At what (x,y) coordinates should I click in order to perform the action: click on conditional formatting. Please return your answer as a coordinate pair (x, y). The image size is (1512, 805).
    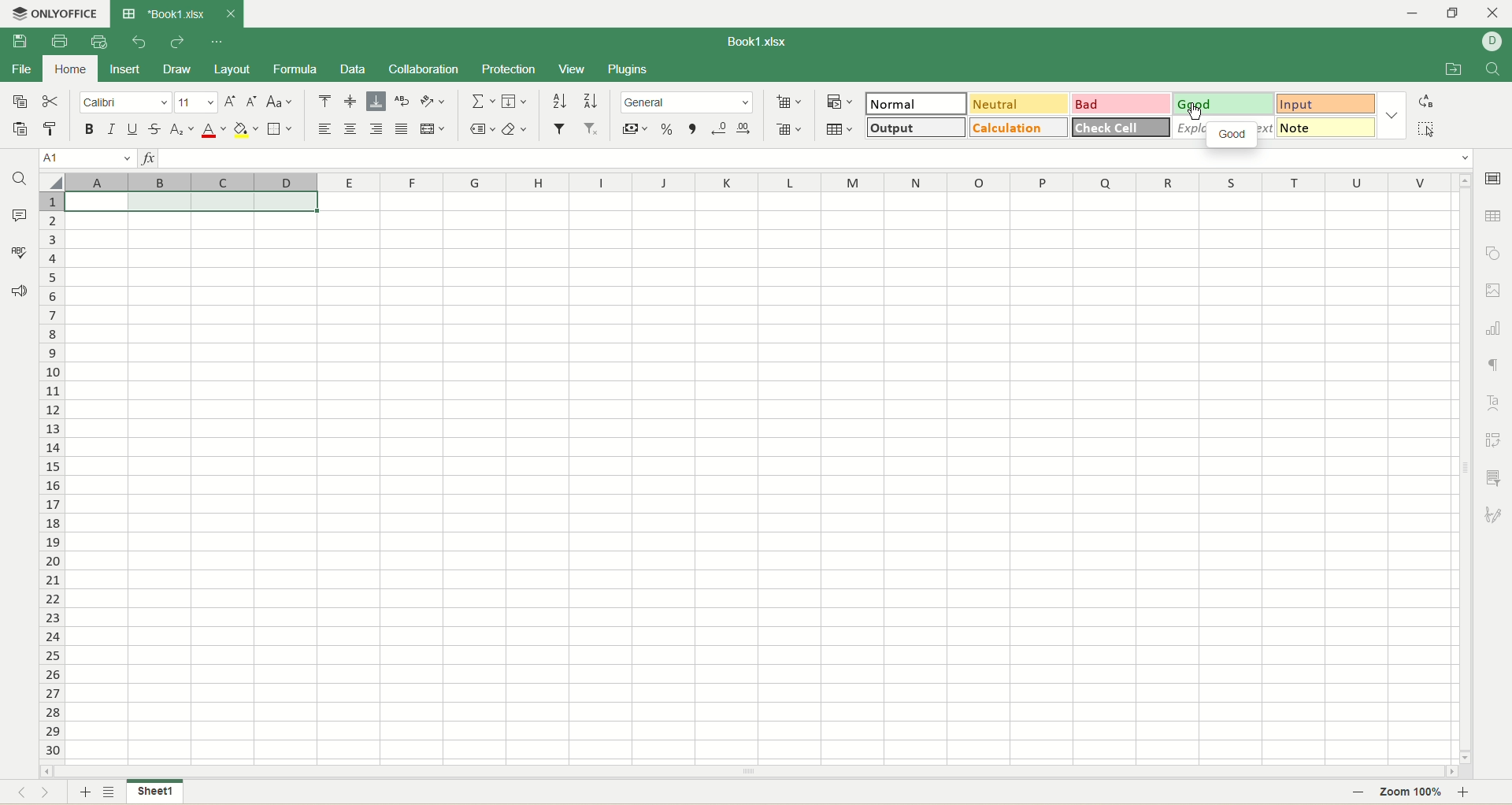
    Looking at the image, I should click on (838, 101).